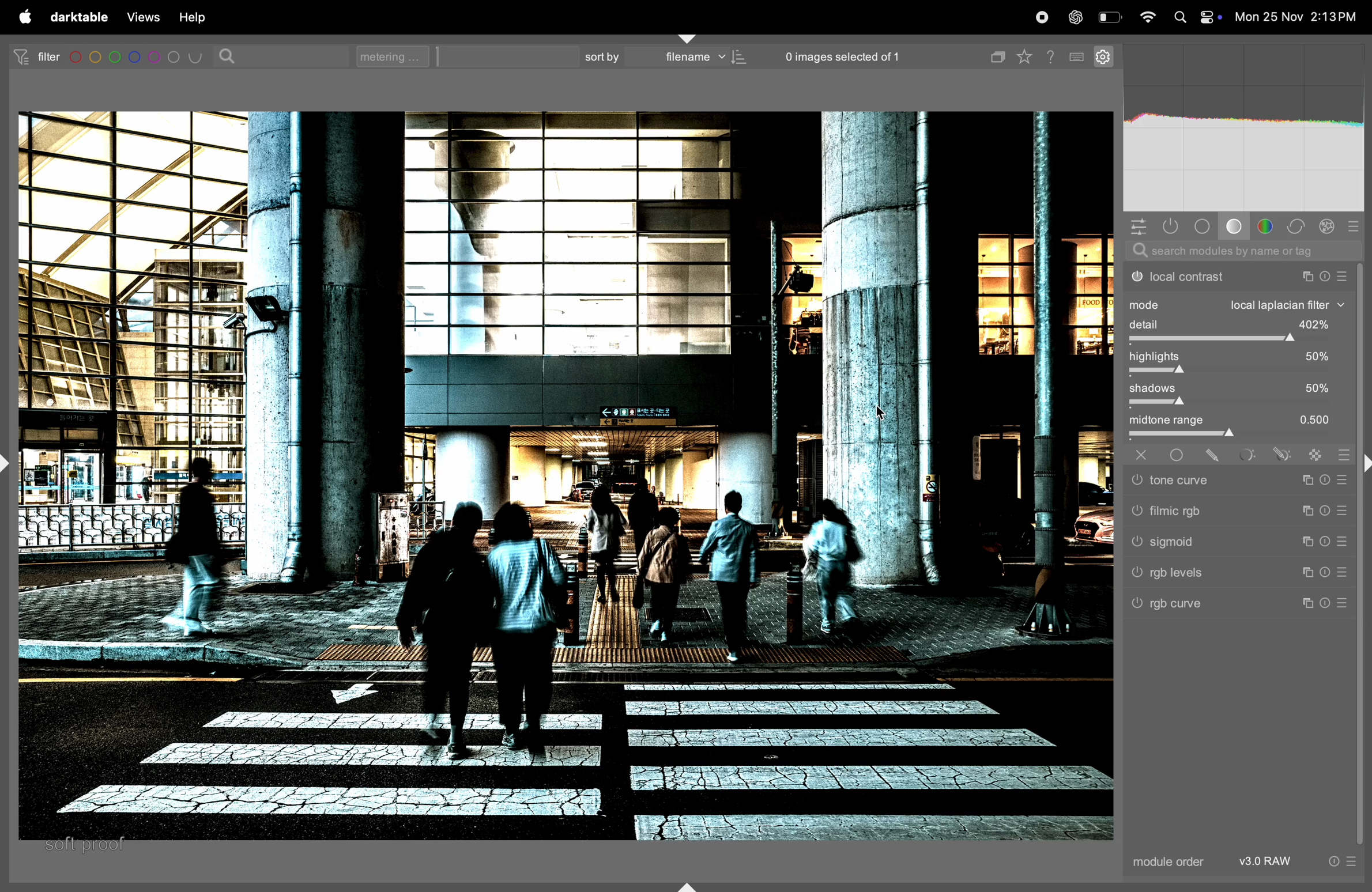 This screenshot has height=892, width=1372. What do you see at coordinates (1136, 481) in the screenshot?
I see `tone curve switched off` at bounding box center [1136, 481].